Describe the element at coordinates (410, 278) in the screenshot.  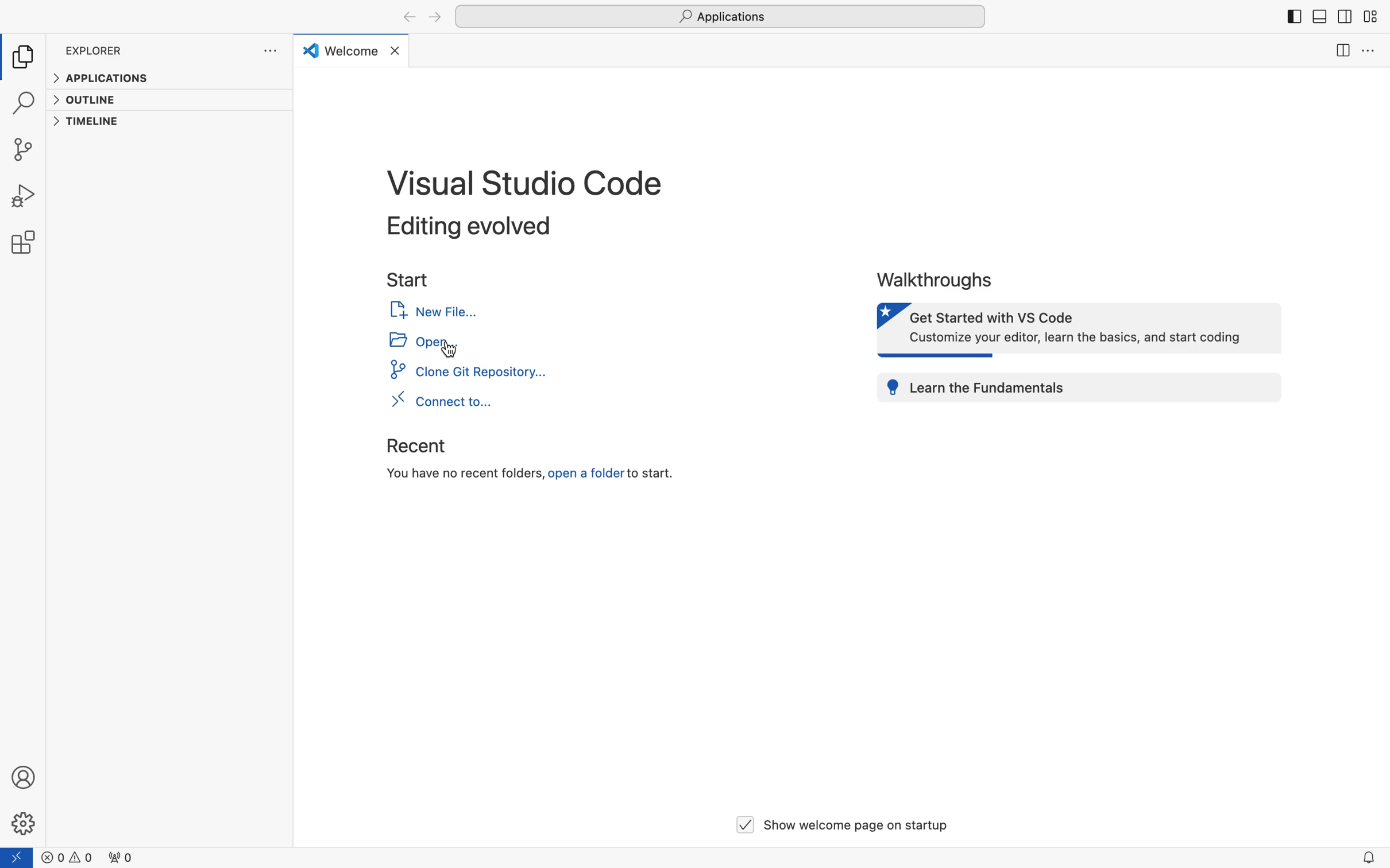
I see `start` at that location.